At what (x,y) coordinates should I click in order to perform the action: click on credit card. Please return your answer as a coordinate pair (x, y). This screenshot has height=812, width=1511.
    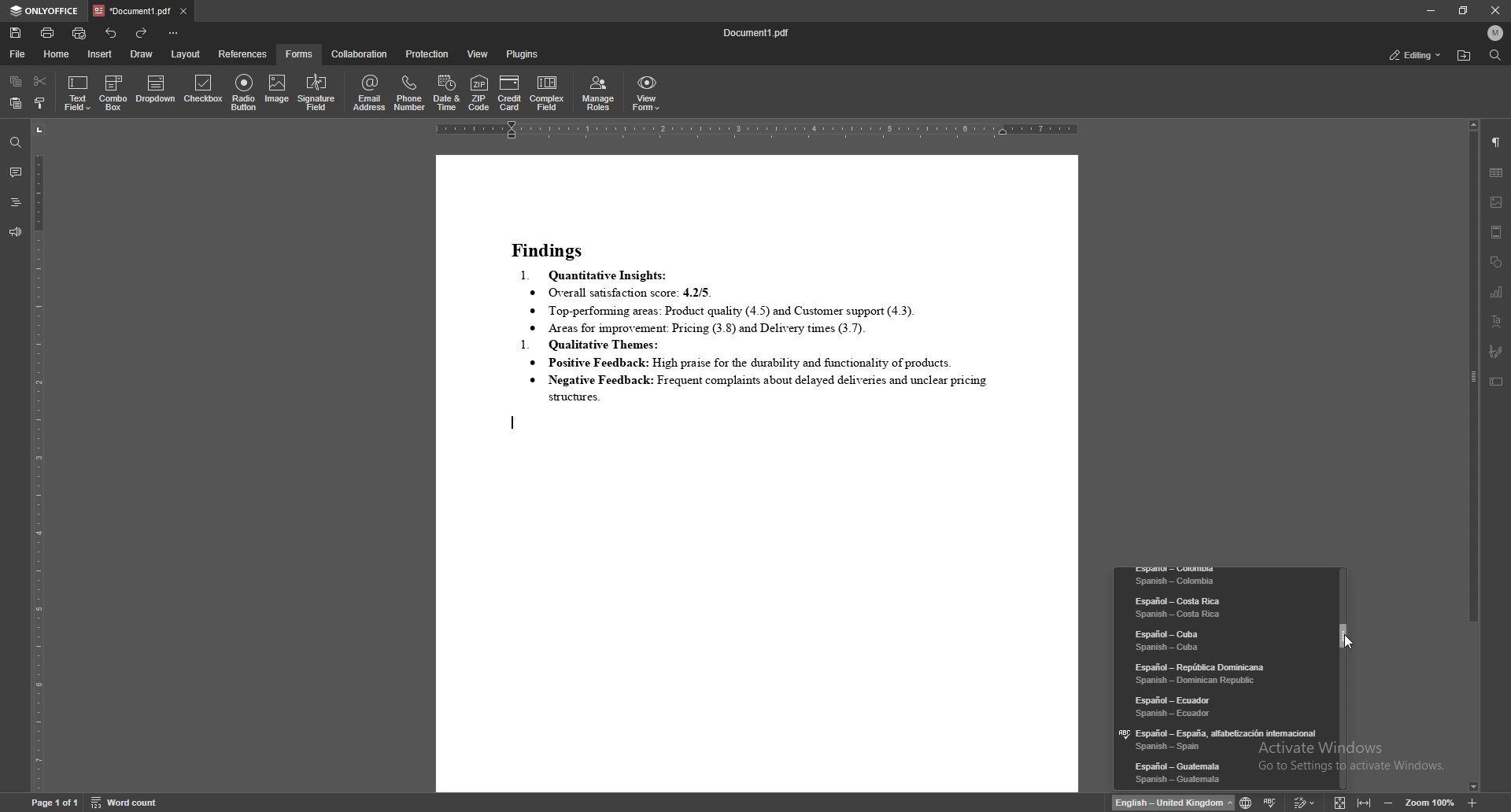
    Looking at the image, I should click on (511, 92).